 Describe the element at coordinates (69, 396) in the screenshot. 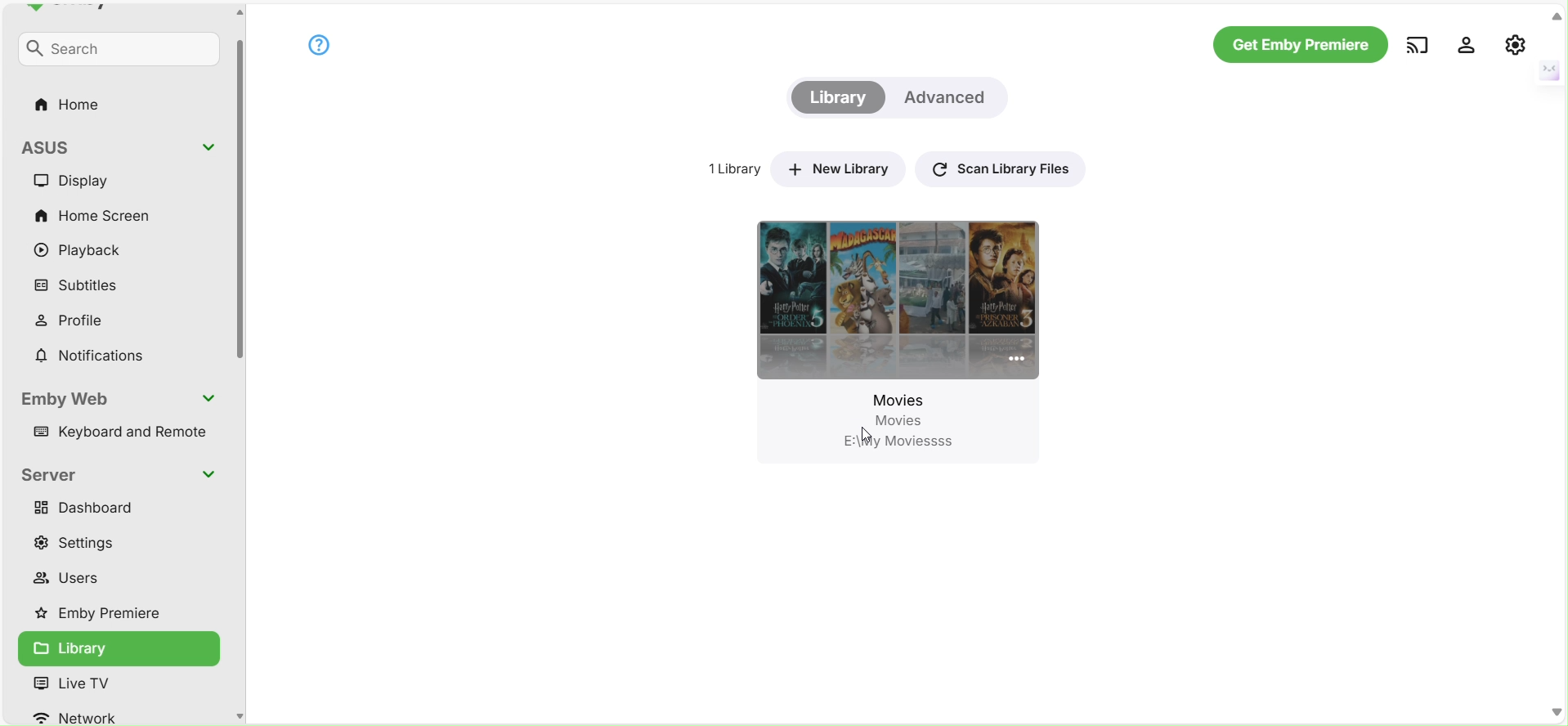

I see `Emby Web` at that location.